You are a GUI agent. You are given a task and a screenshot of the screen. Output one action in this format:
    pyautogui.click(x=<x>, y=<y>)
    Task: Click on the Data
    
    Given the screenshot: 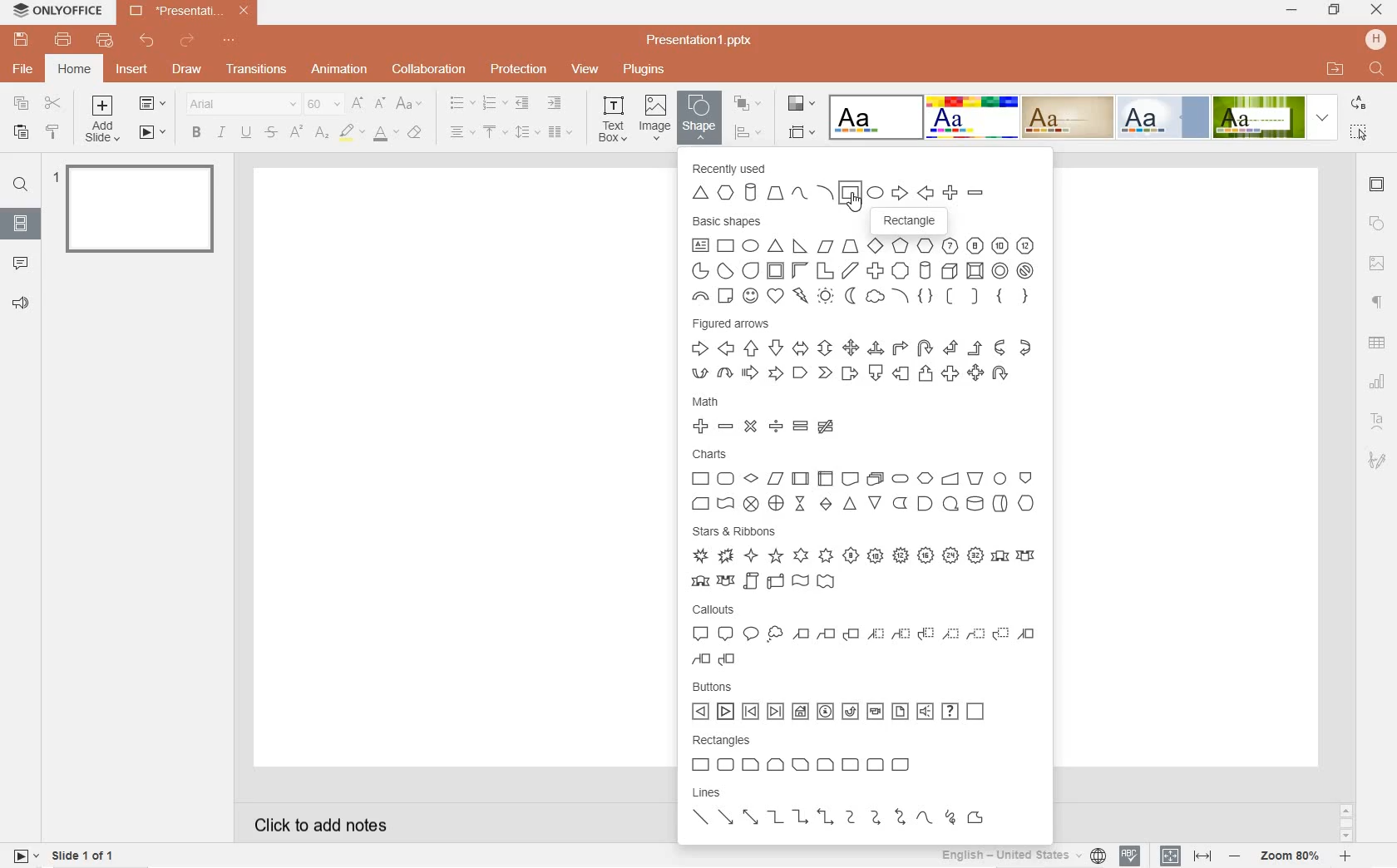 What is the action you would take?
    pyautogui.click(x=775, y=479)
    